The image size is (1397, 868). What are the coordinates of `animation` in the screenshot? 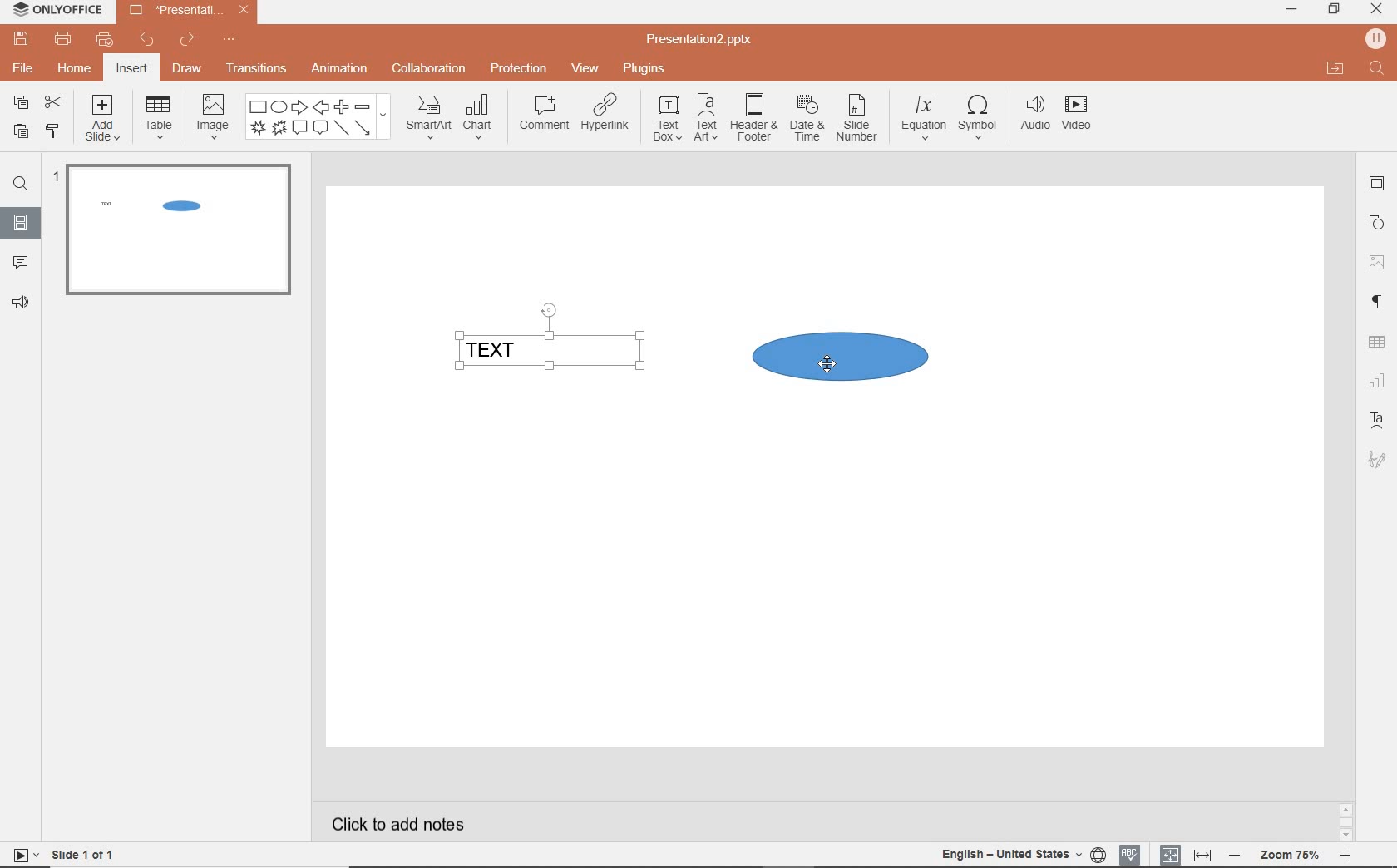 It's located at (338, 70).